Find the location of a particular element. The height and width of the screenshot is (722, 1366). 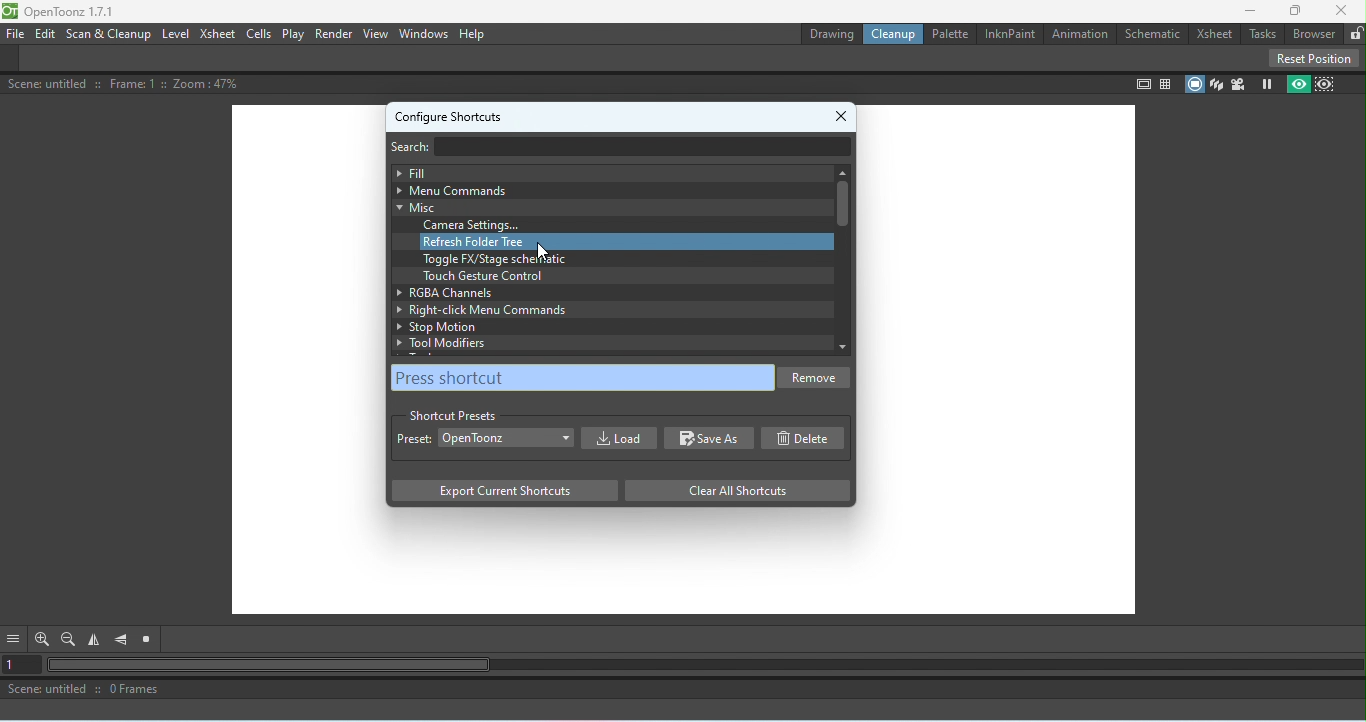

Help is located at coordinates (473, 34).